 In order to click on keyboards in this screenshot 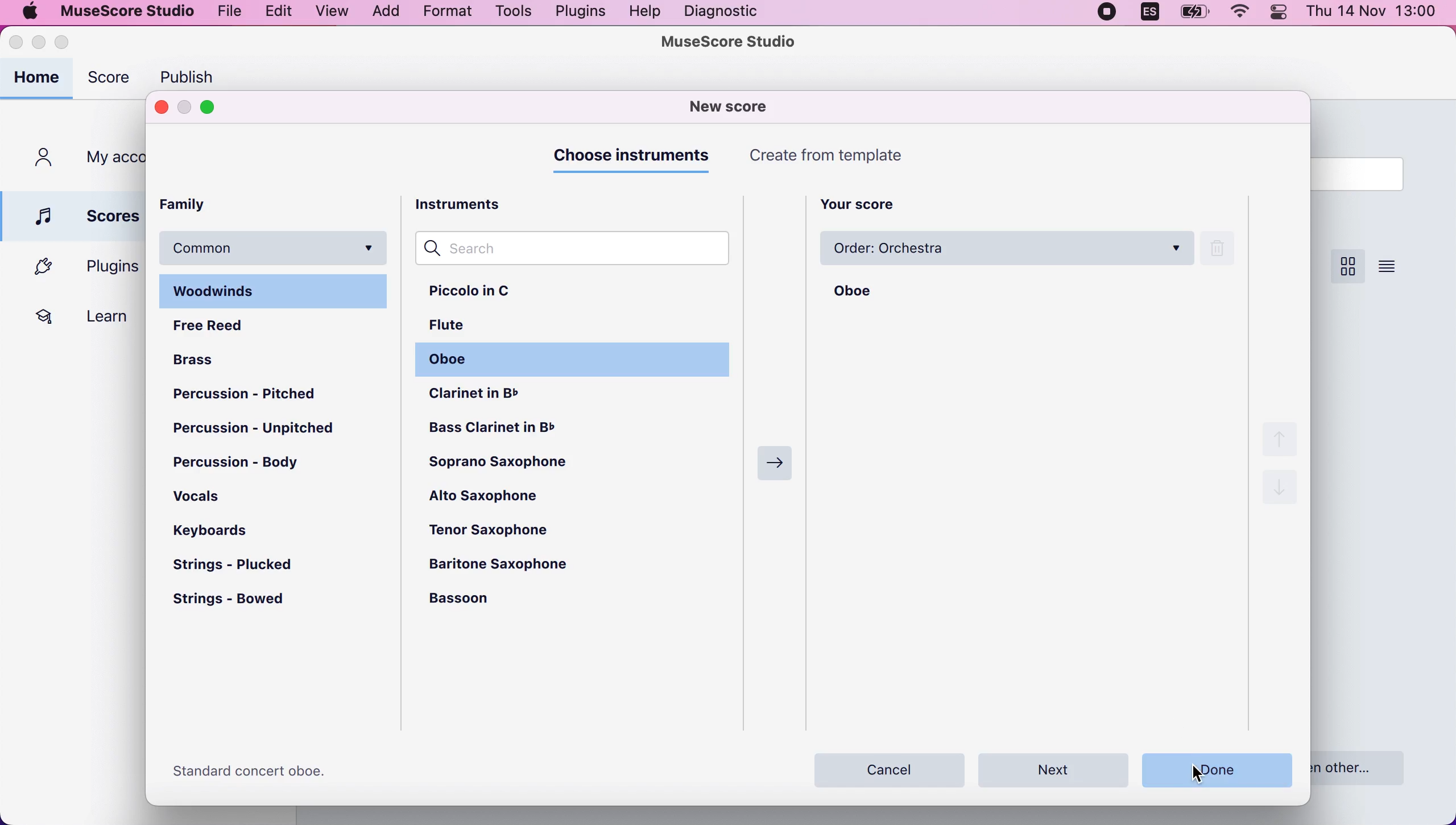, I will do `click(215, 529)`.